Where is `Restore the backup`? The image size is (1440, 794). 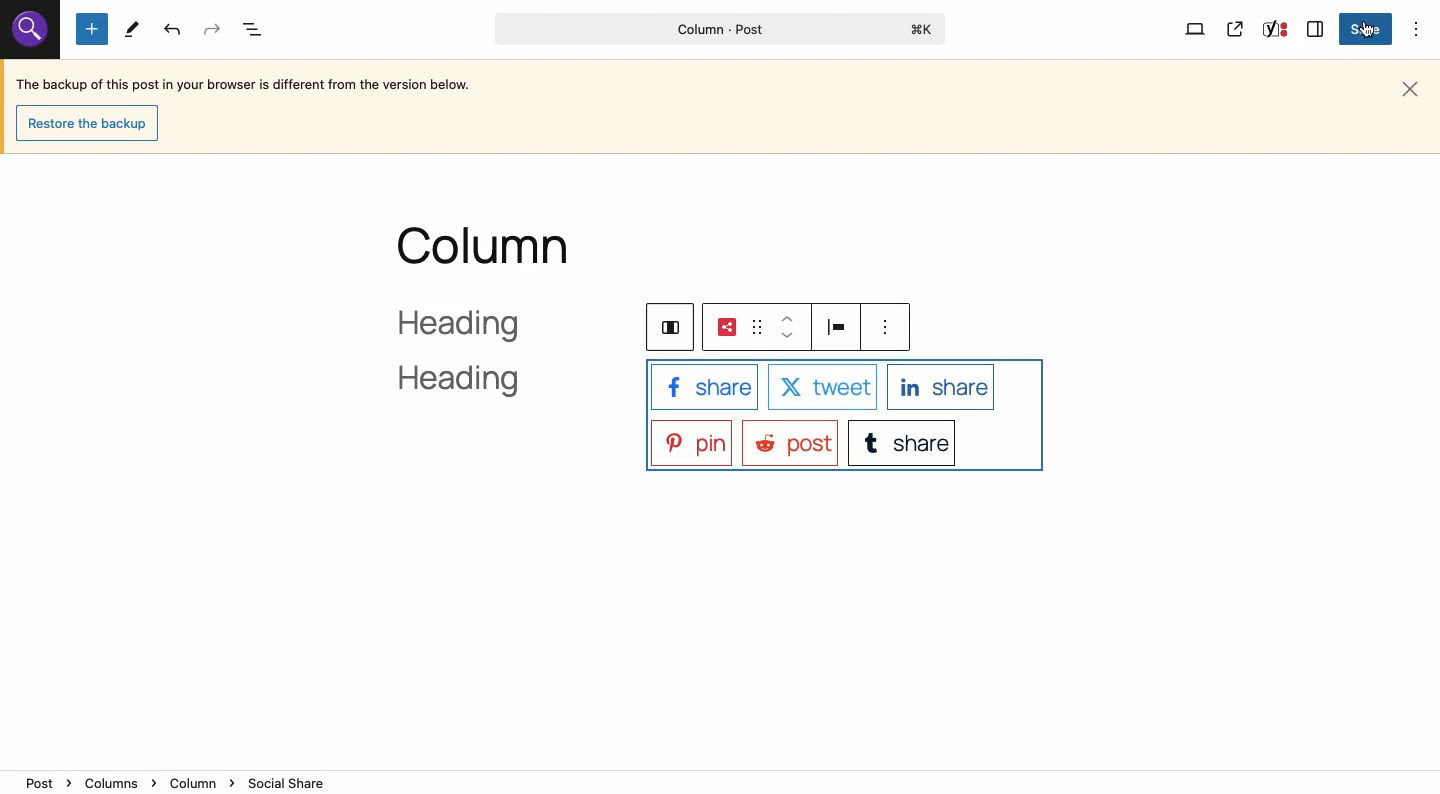
Restore the backup is located at coordinates (92, 124).